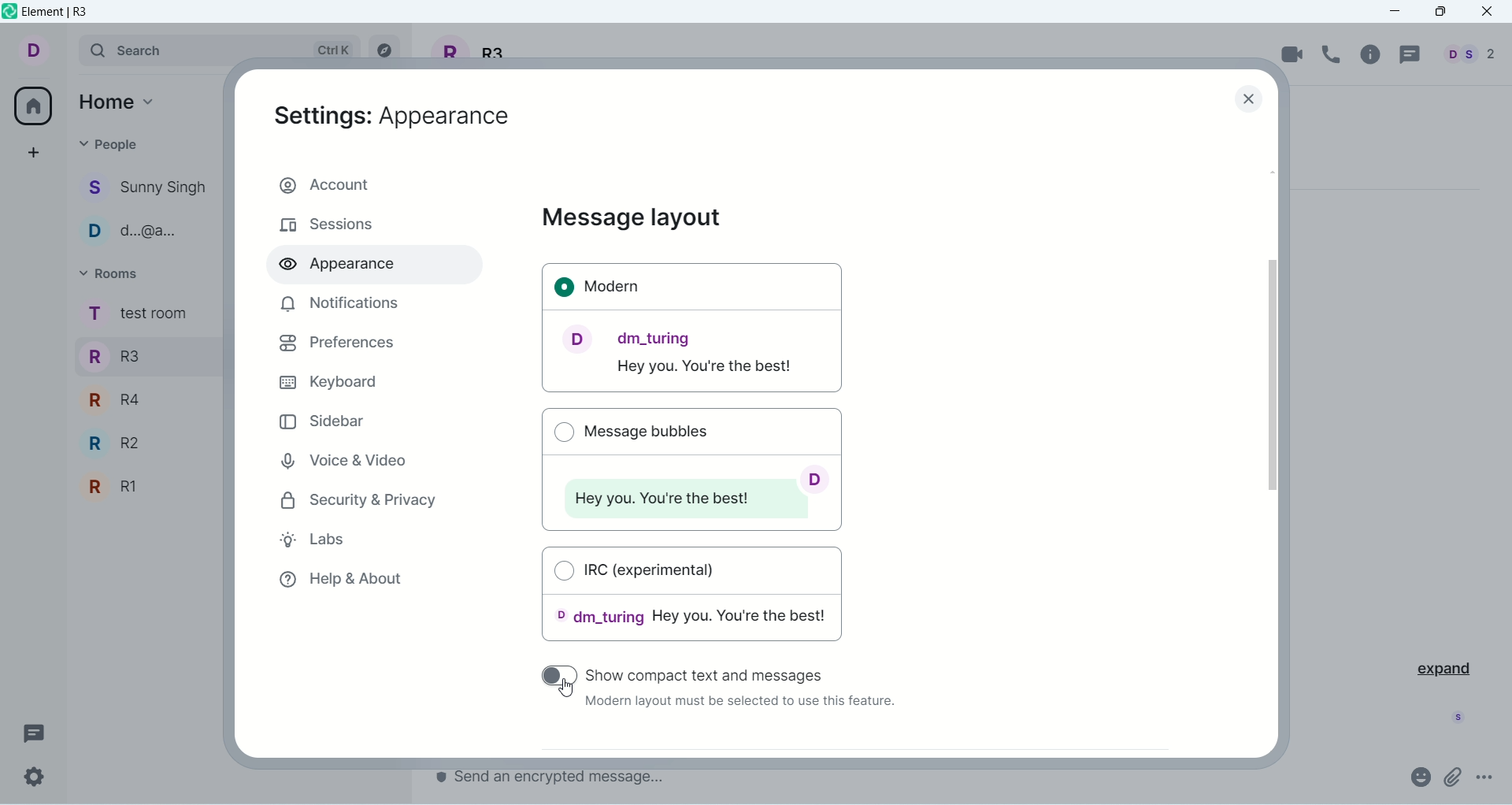 This screenshot has width=1512, height=805. I want to click on people, so click(112, 143).